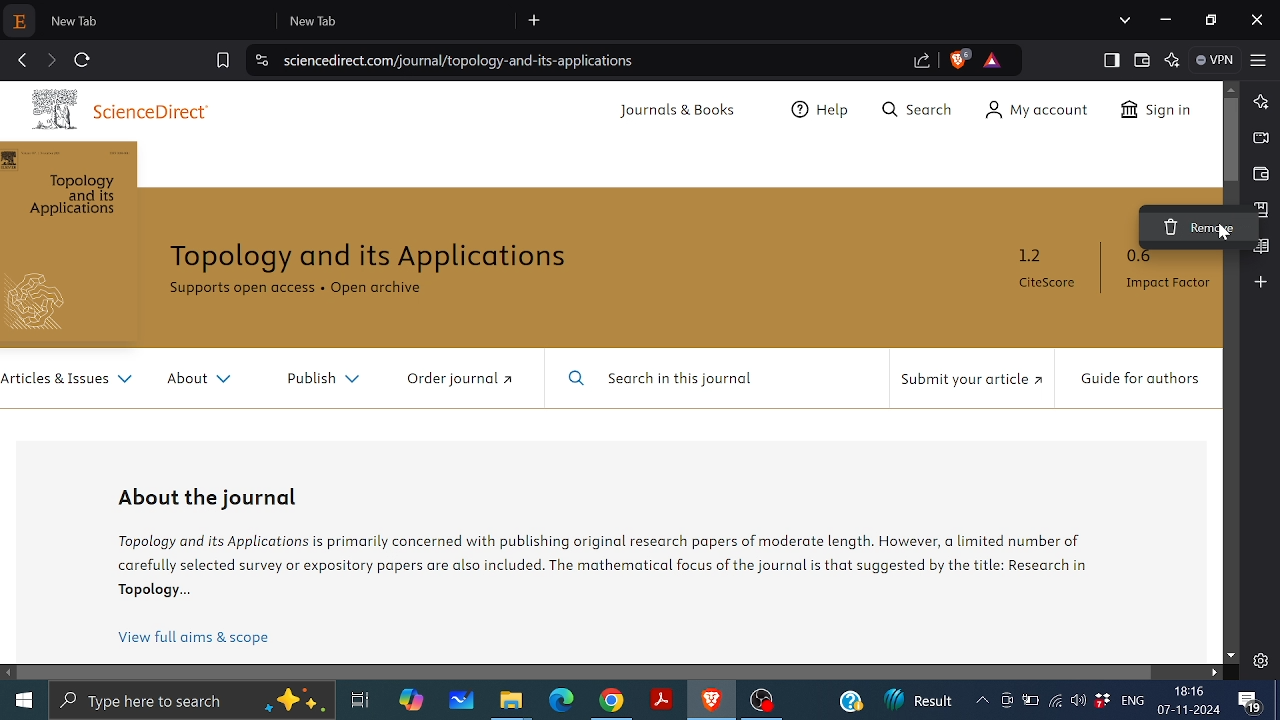 Image resolution: width=1280 pixels, height=720 pixels. I want to click on Date and time, so click(1192, 700).